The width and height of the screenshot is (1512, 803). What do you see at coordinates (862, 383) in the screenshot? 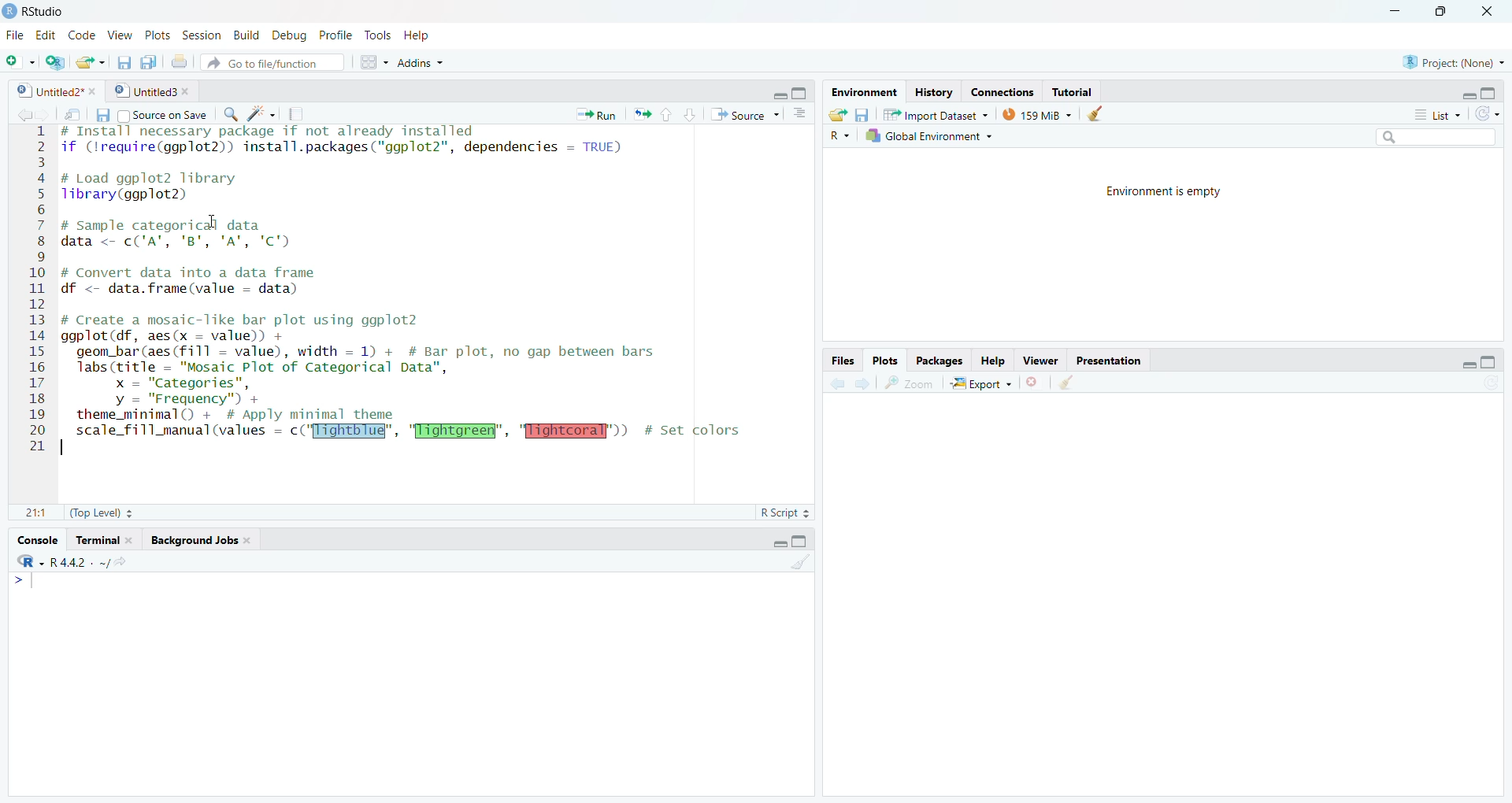
I see `Next` at bounding box center [862, 383].